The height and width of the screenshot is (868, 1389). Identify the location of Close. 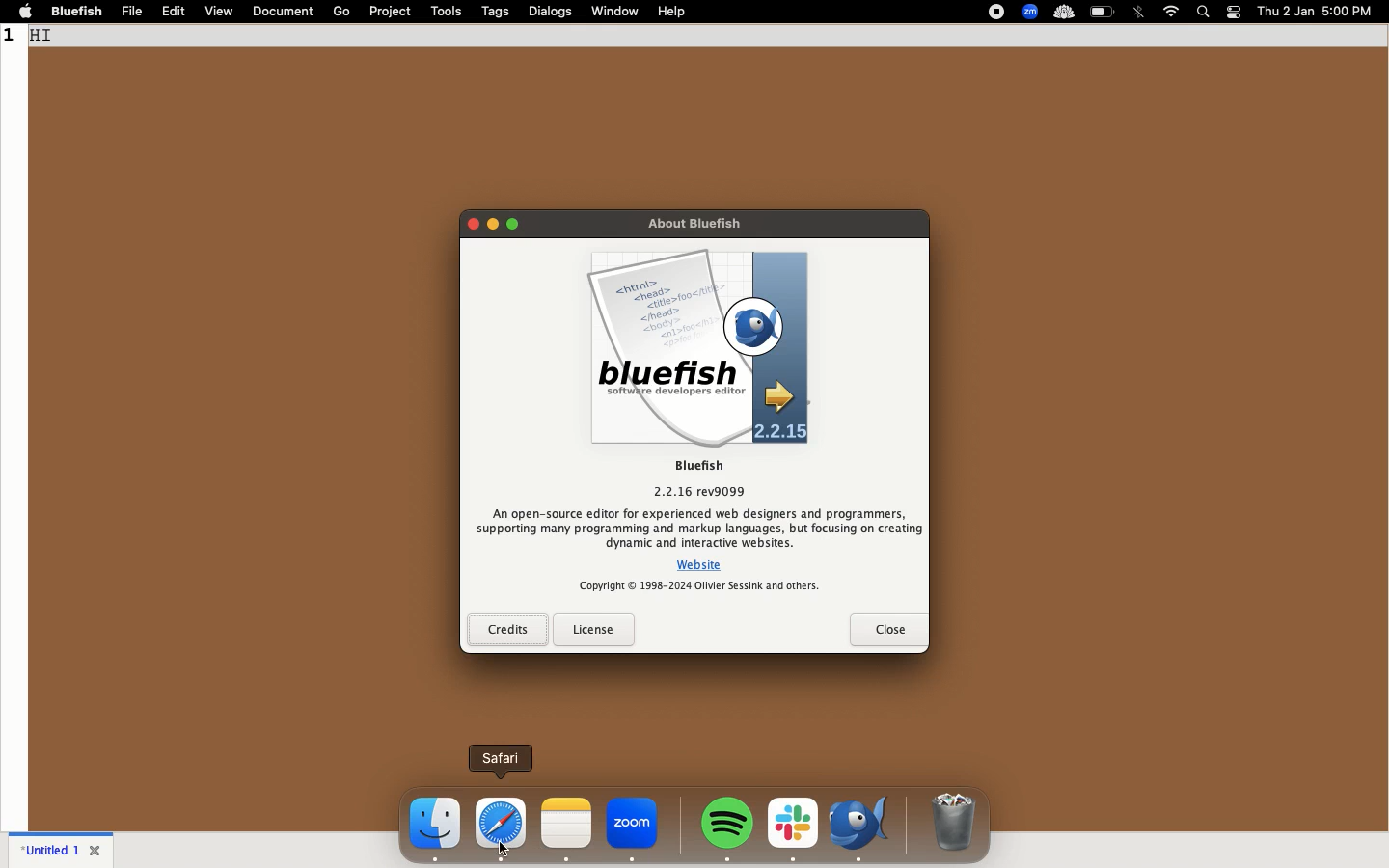
(97, 851).